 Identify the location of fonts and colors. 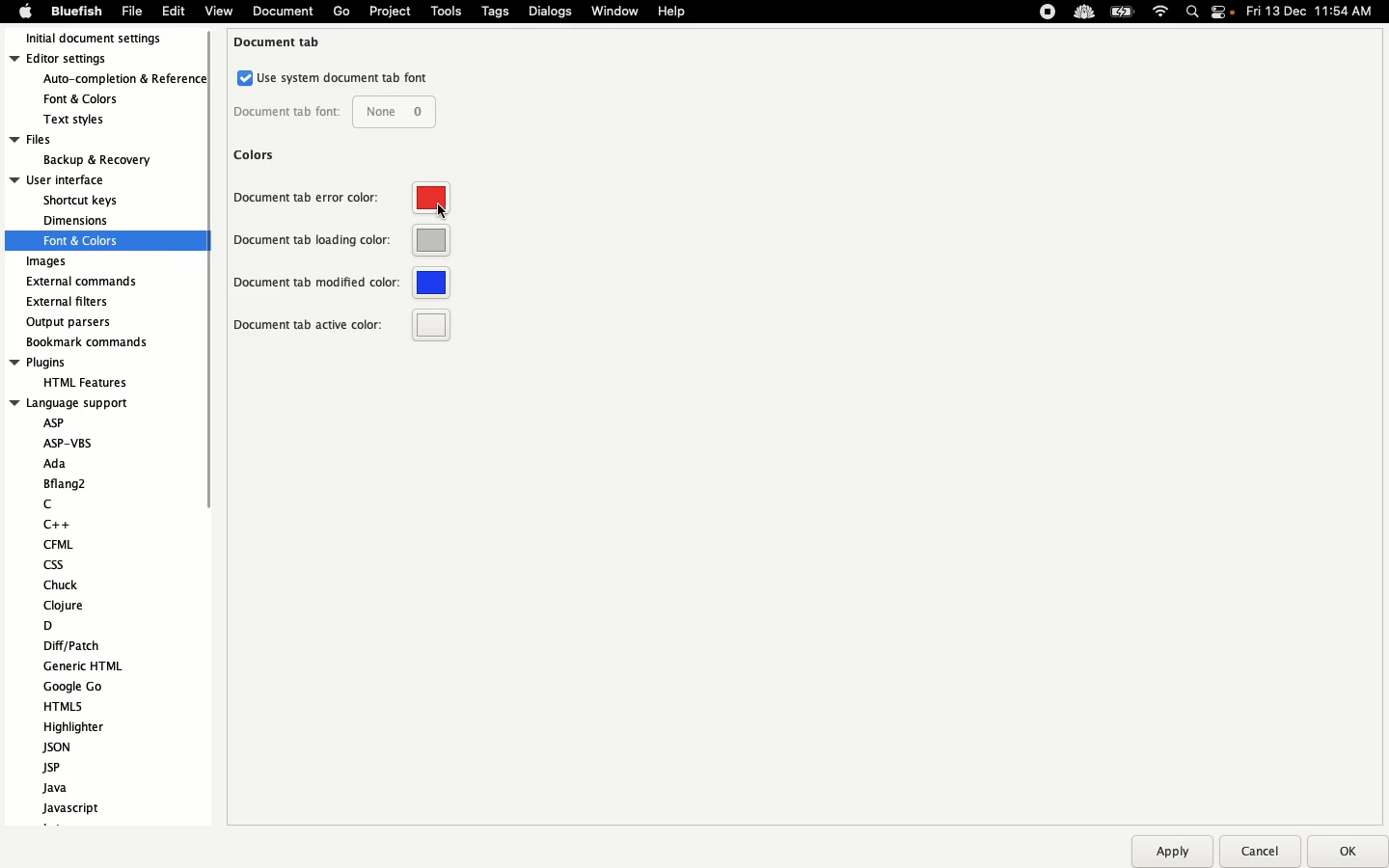
(107, 240).